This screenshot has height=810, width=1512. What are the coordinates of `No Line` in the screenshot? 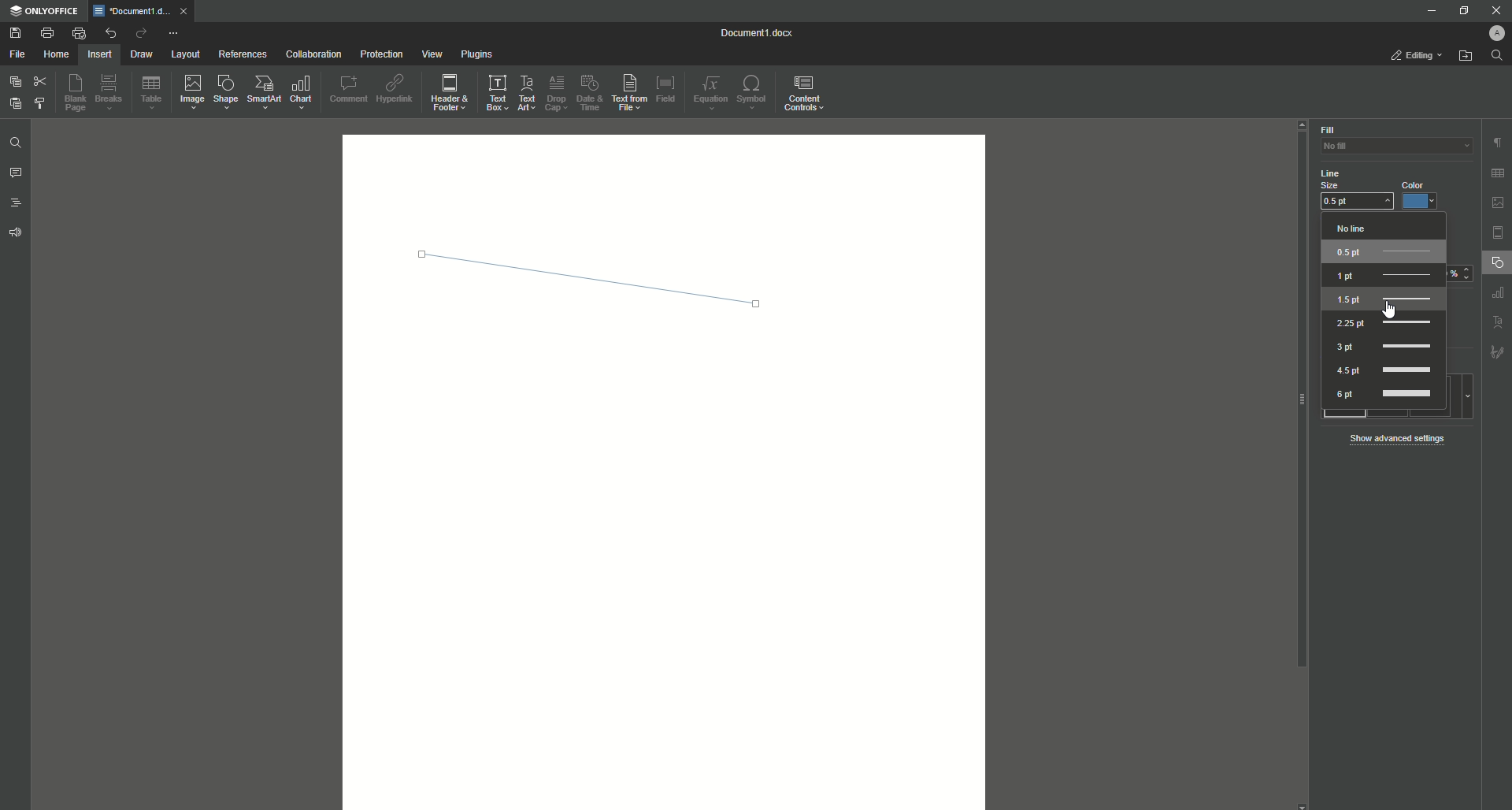 It's located at (1377, 229).